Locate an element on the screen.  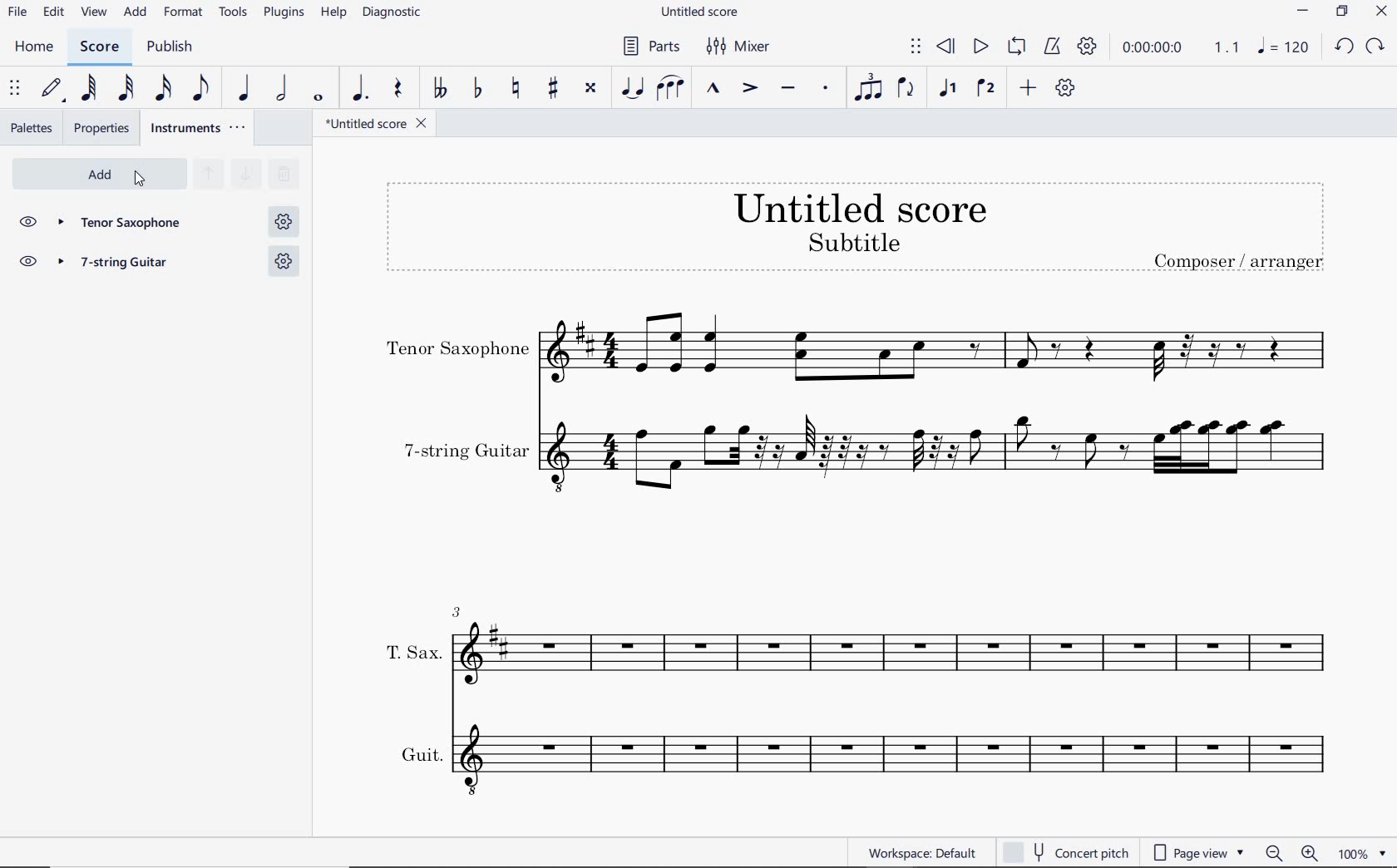
PLAY is located at coordinates (978, 47).